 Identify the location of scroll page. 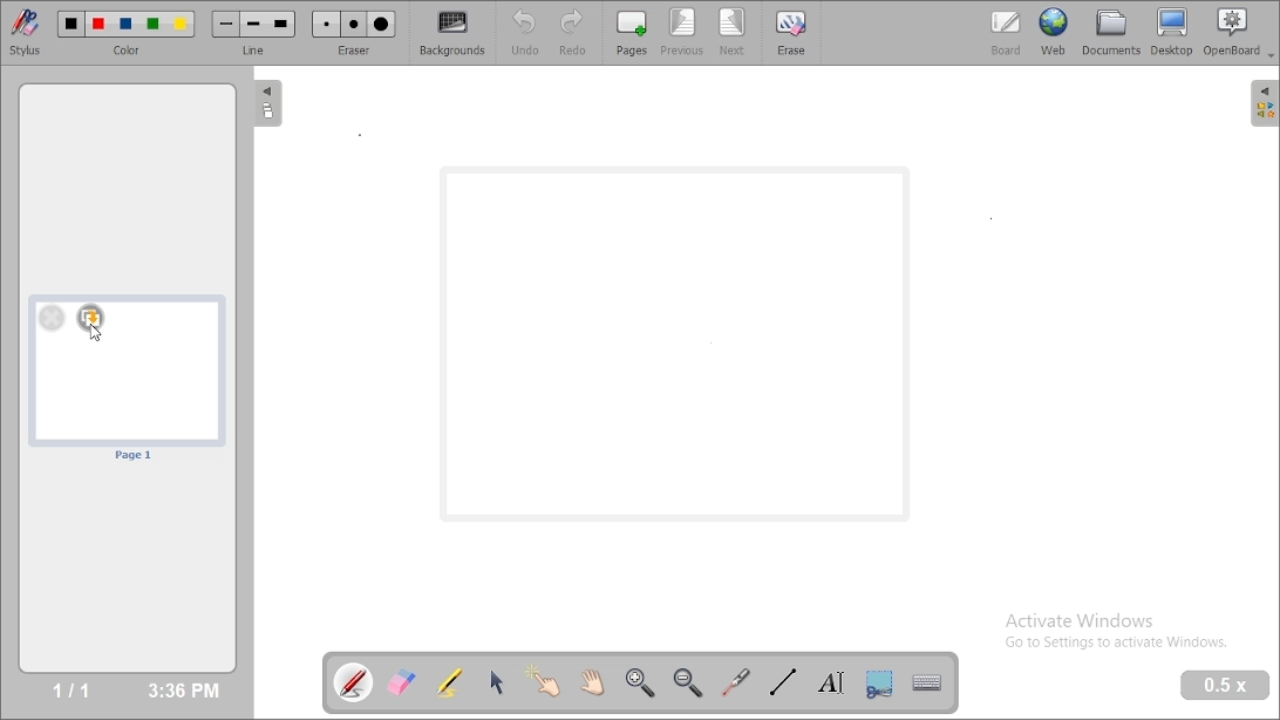
(591, 681).